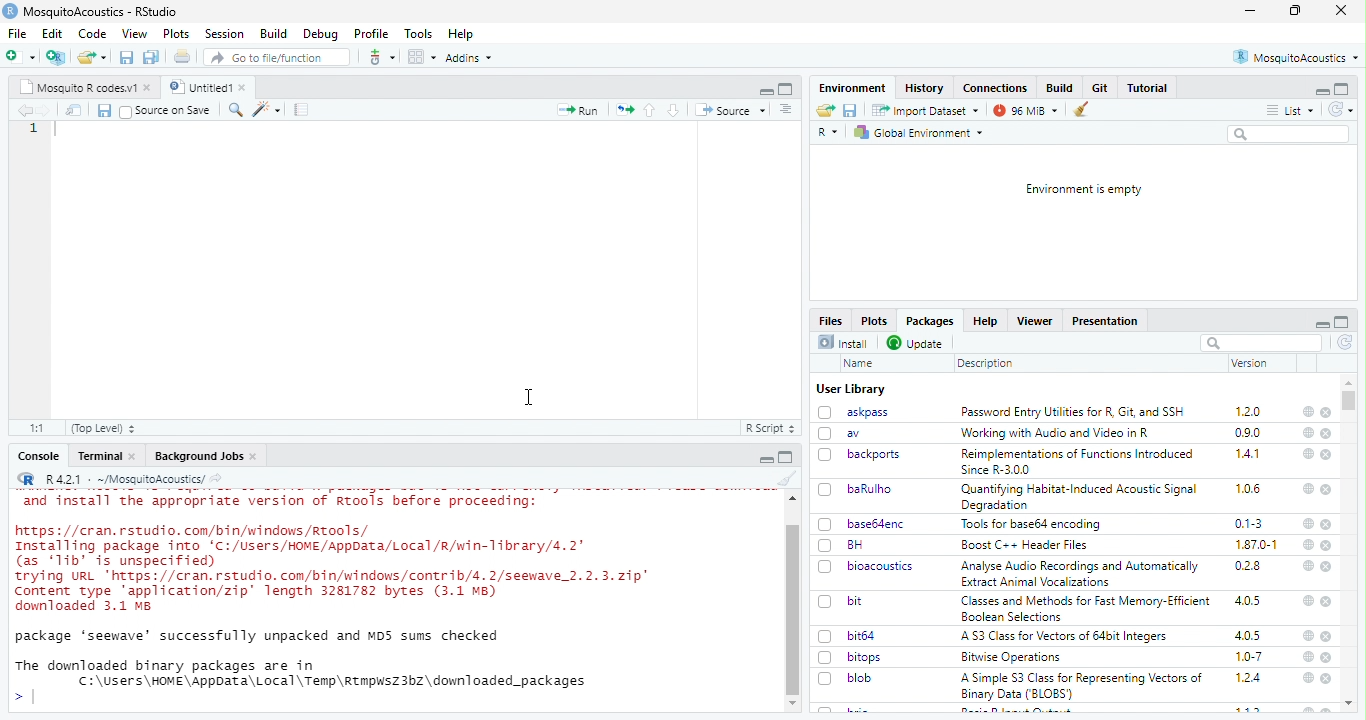 This screenshot has height=720, width=1366. I want to click on web, so click(1310, 544).